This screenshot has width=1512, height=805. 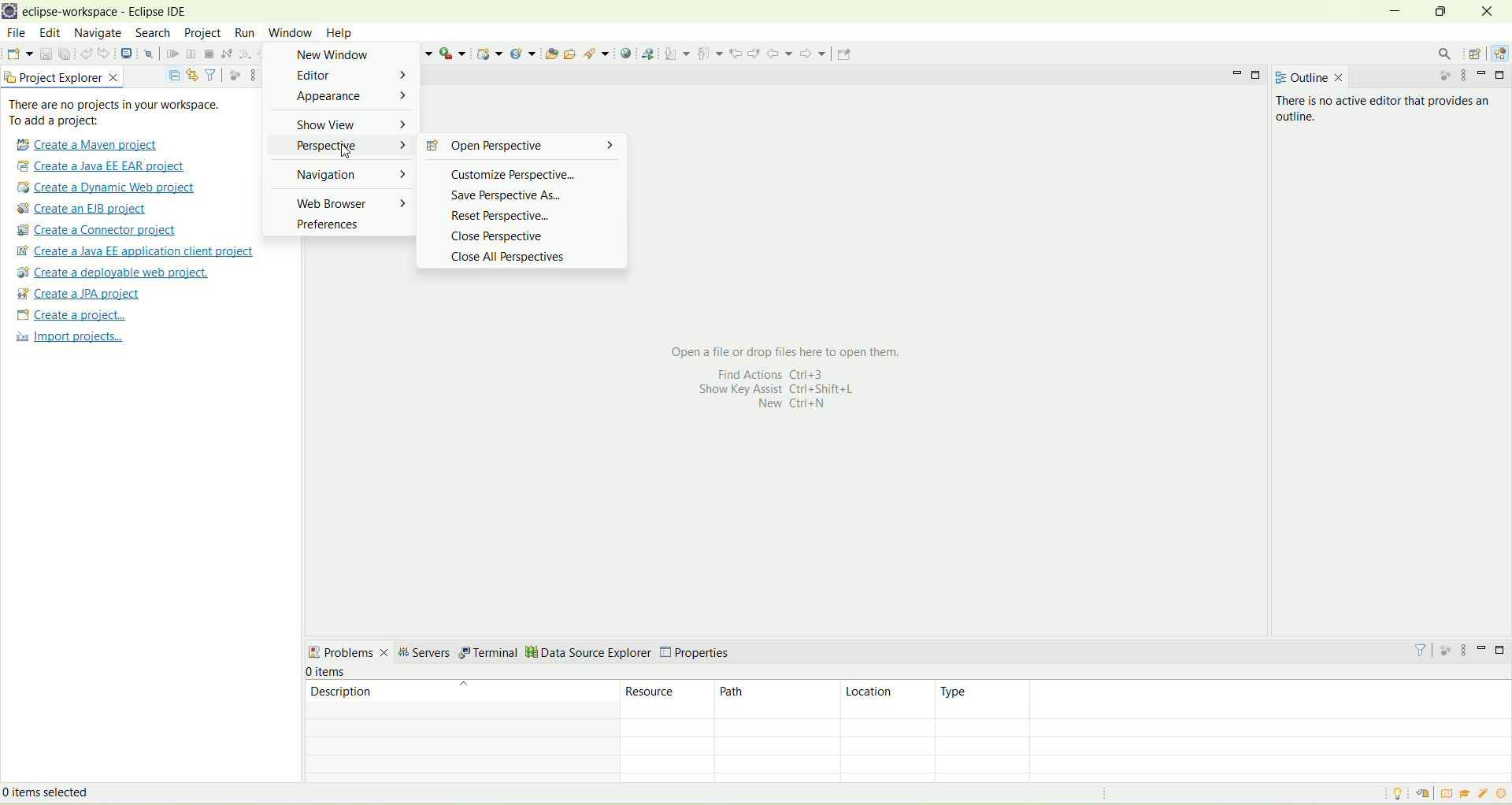 What do you see at coordinates (91, 143) in the screenshot?
I see `create a Maven project` at bounding box center [91, 143].